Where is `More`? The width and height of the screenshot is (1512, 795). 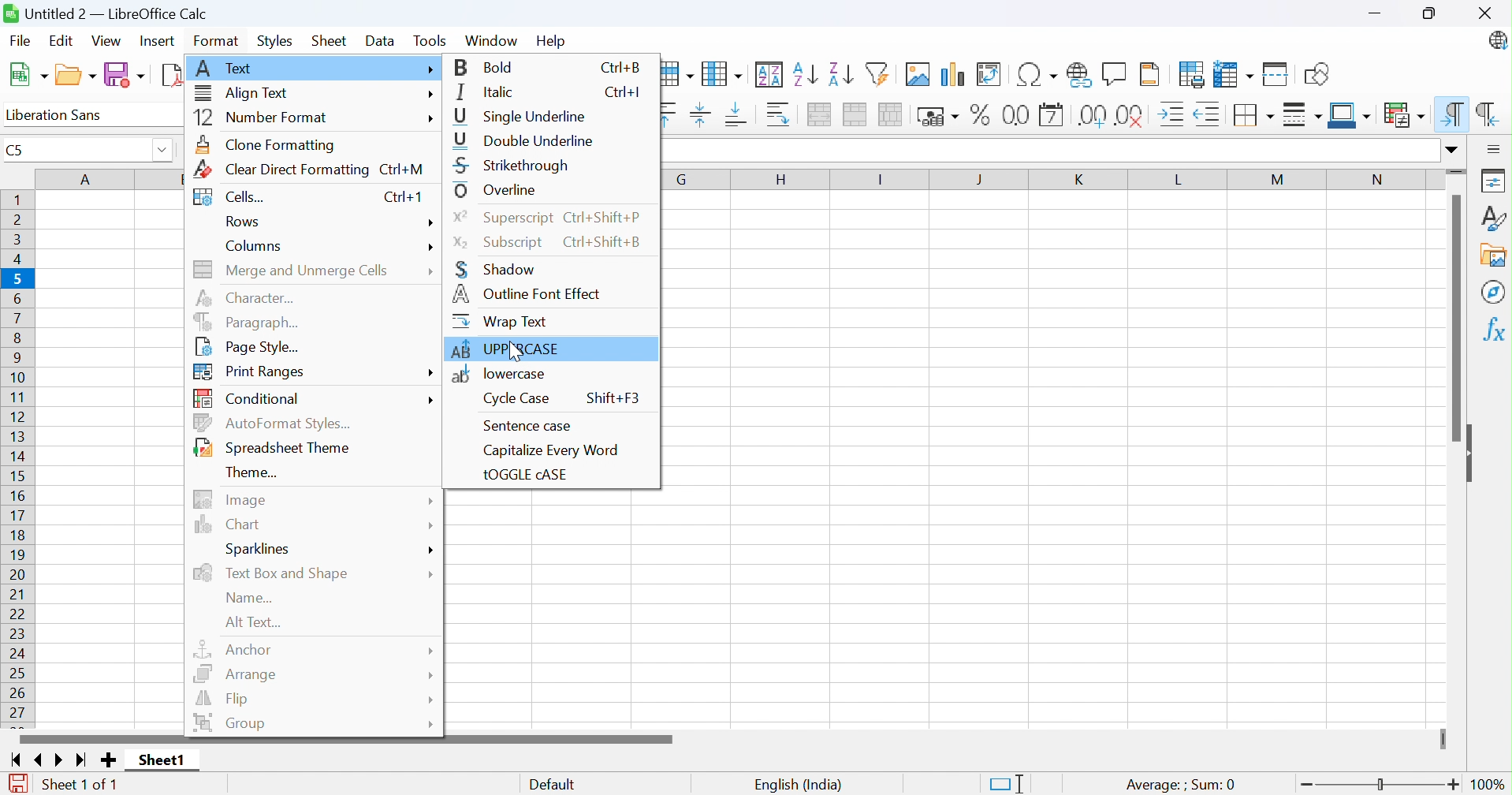 More is located at coordinates (426, 118).